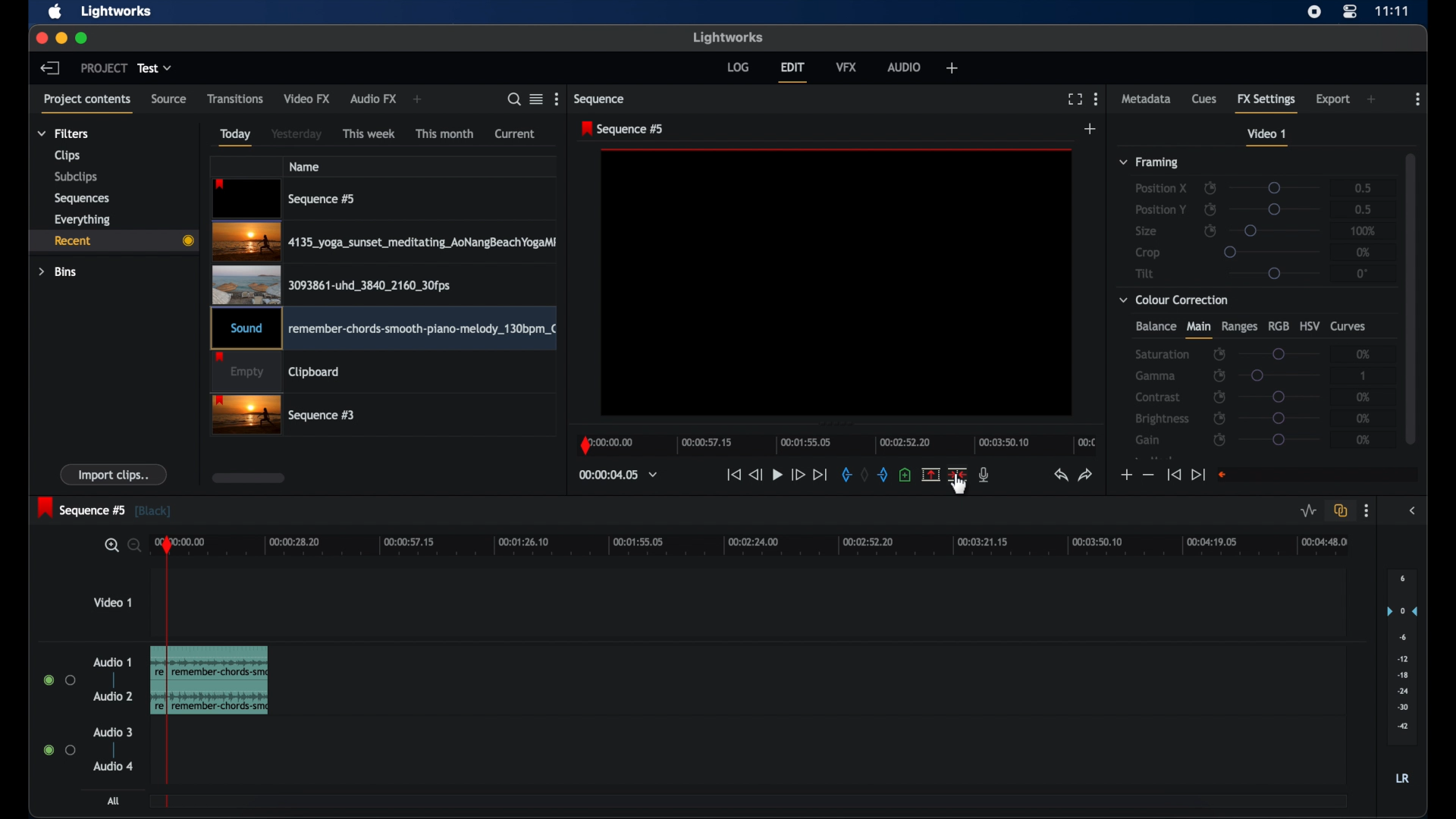 This screenshot has height=819, width=1456. Describe the element at coordinates (1266, 102) in the screenshot. I see `fx settings` at that location.